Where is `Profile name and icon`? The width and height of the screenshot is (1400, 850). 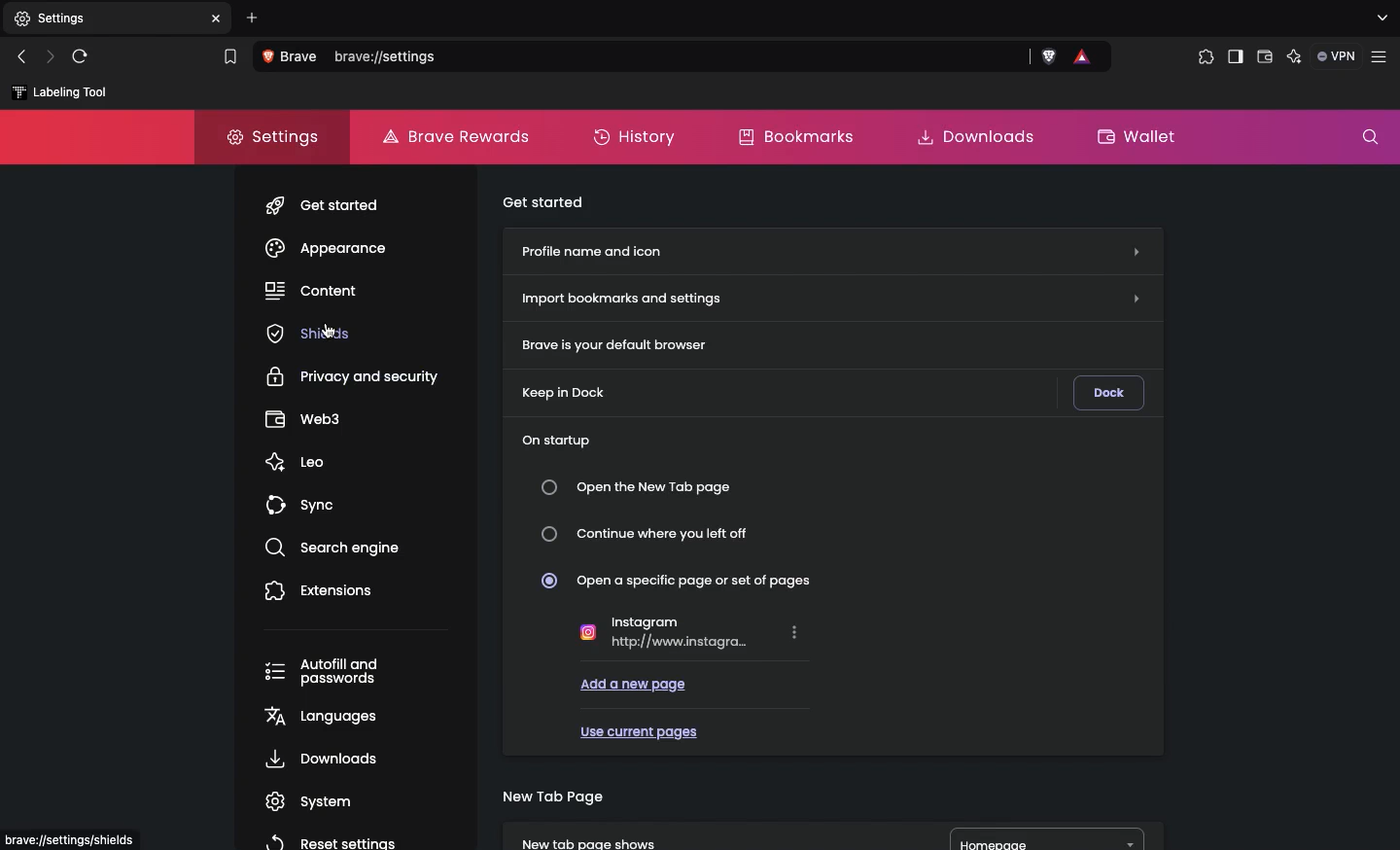 Profile name and icon is located at coordinates (834, 249).